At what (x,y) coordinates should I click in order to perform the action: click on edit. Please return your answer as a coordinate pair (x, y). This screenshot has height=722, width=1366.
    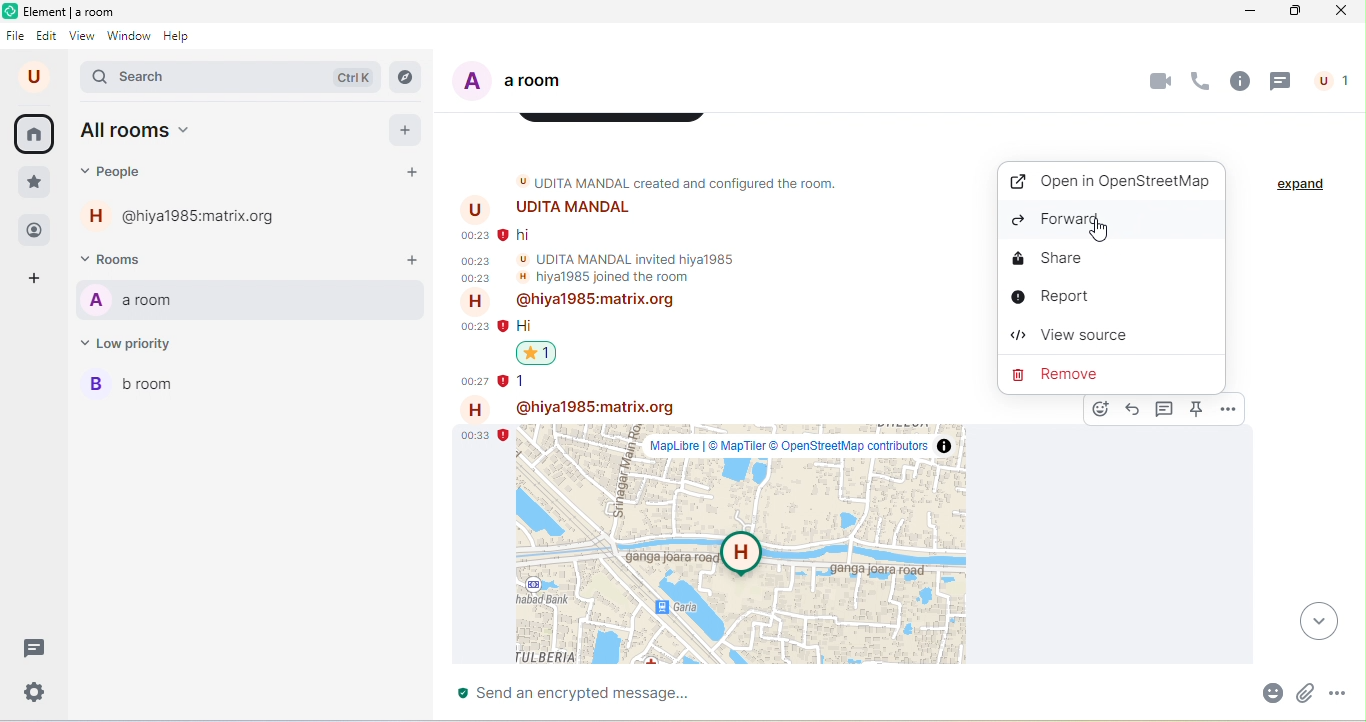
    Looking at the image, I should click on (47, 37).